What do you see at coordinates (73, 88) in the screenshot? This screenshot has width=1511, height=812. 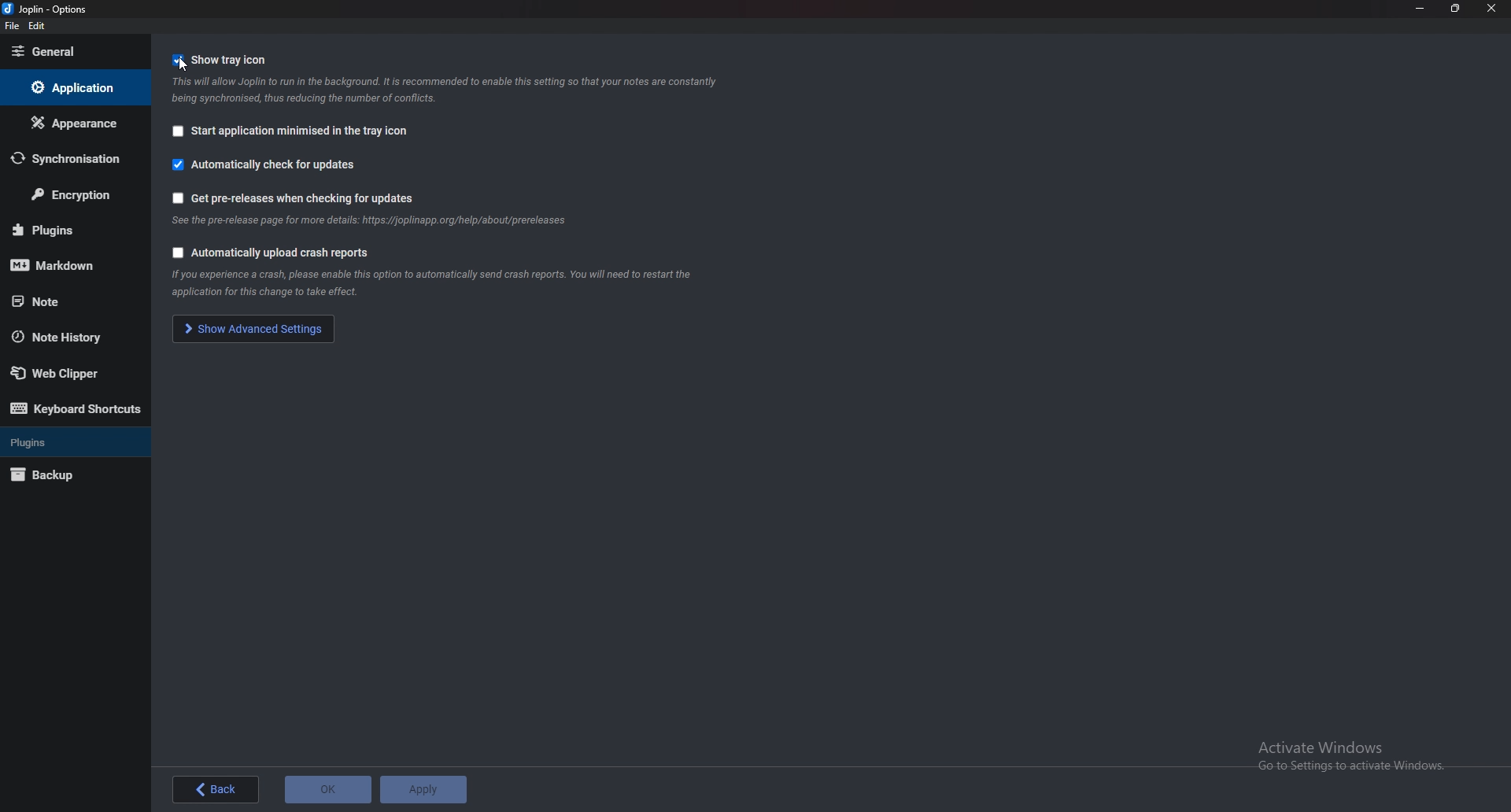 I see `Application` at bounding box center [73, 88].